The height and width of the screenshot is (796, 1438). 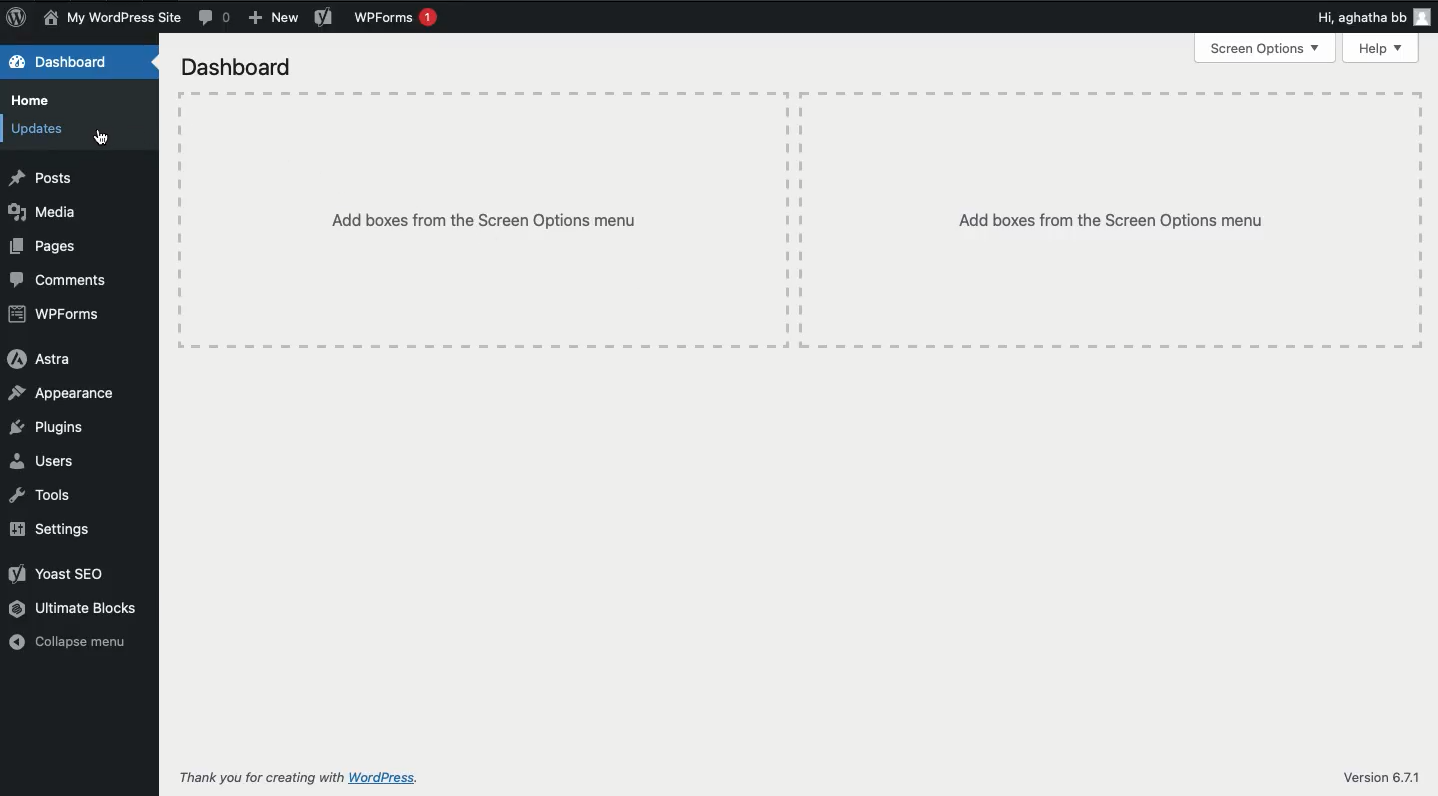 What do you see at coordinates (41, 179) in the screenshot?
I see `Posts` at bounding box center [41, 179].